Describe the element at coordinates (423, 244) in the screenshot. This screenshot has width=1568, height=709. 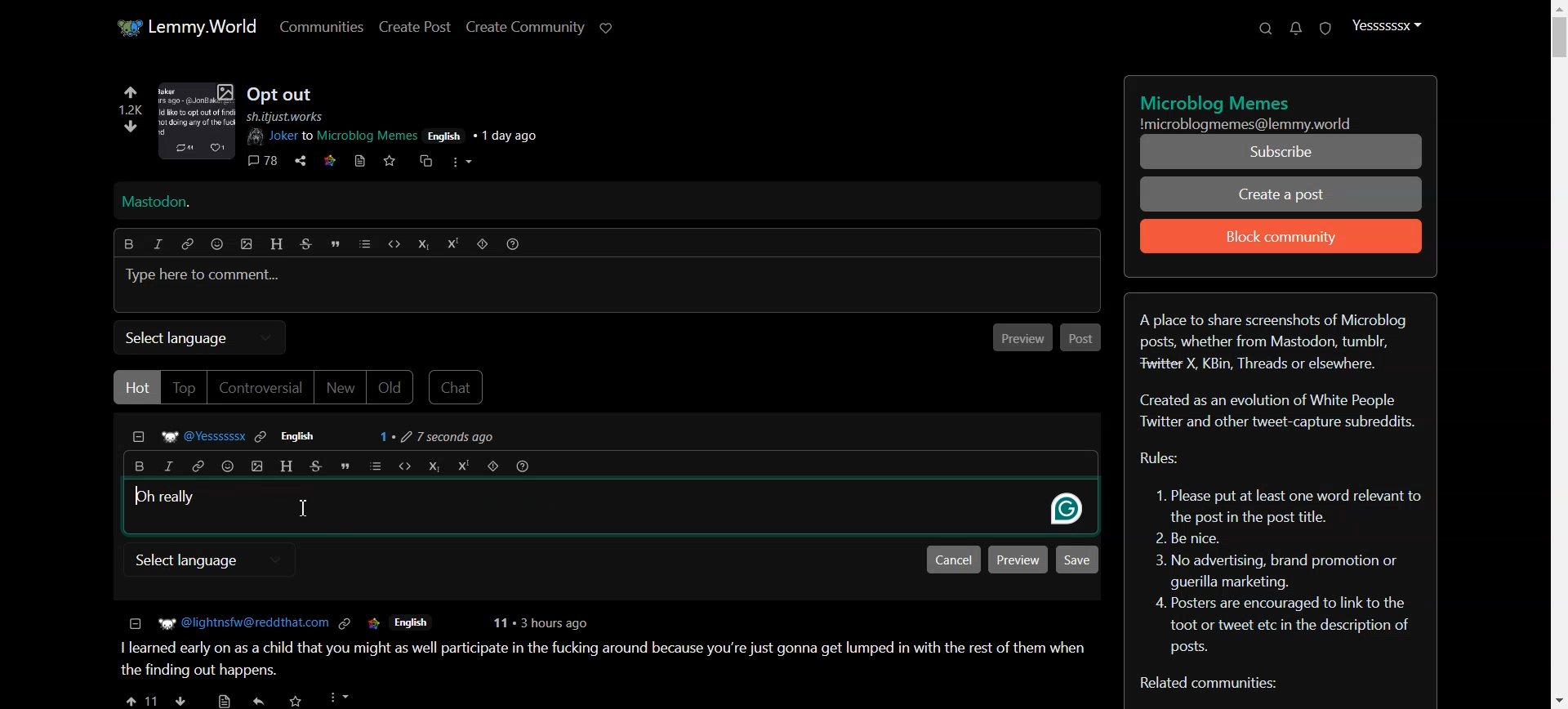
I see `Subscript` at that location.